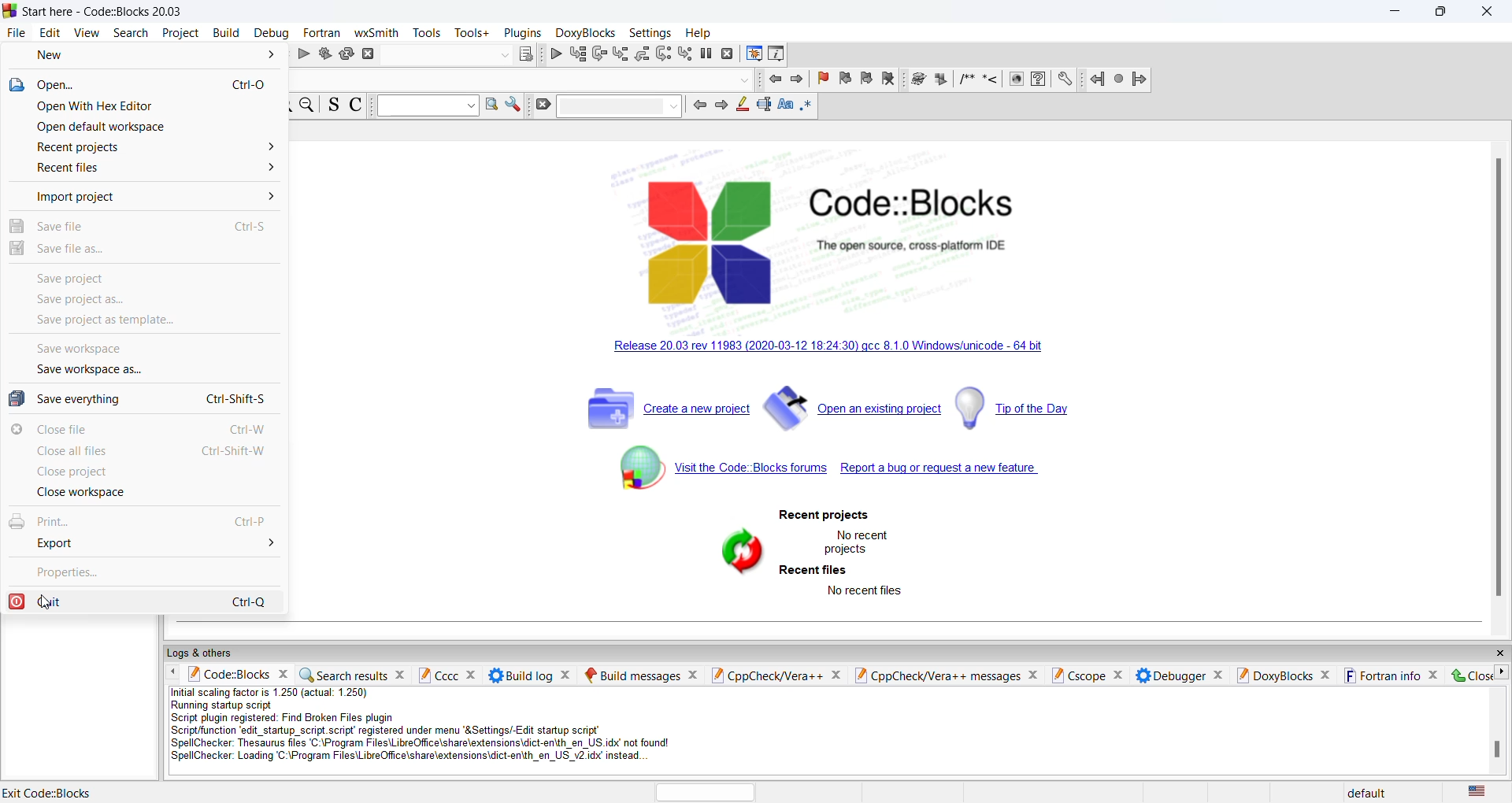 The image size is (1512, 803). Describe the element at coordinates (325, 56) in the screenshot. I see `build` at that location.